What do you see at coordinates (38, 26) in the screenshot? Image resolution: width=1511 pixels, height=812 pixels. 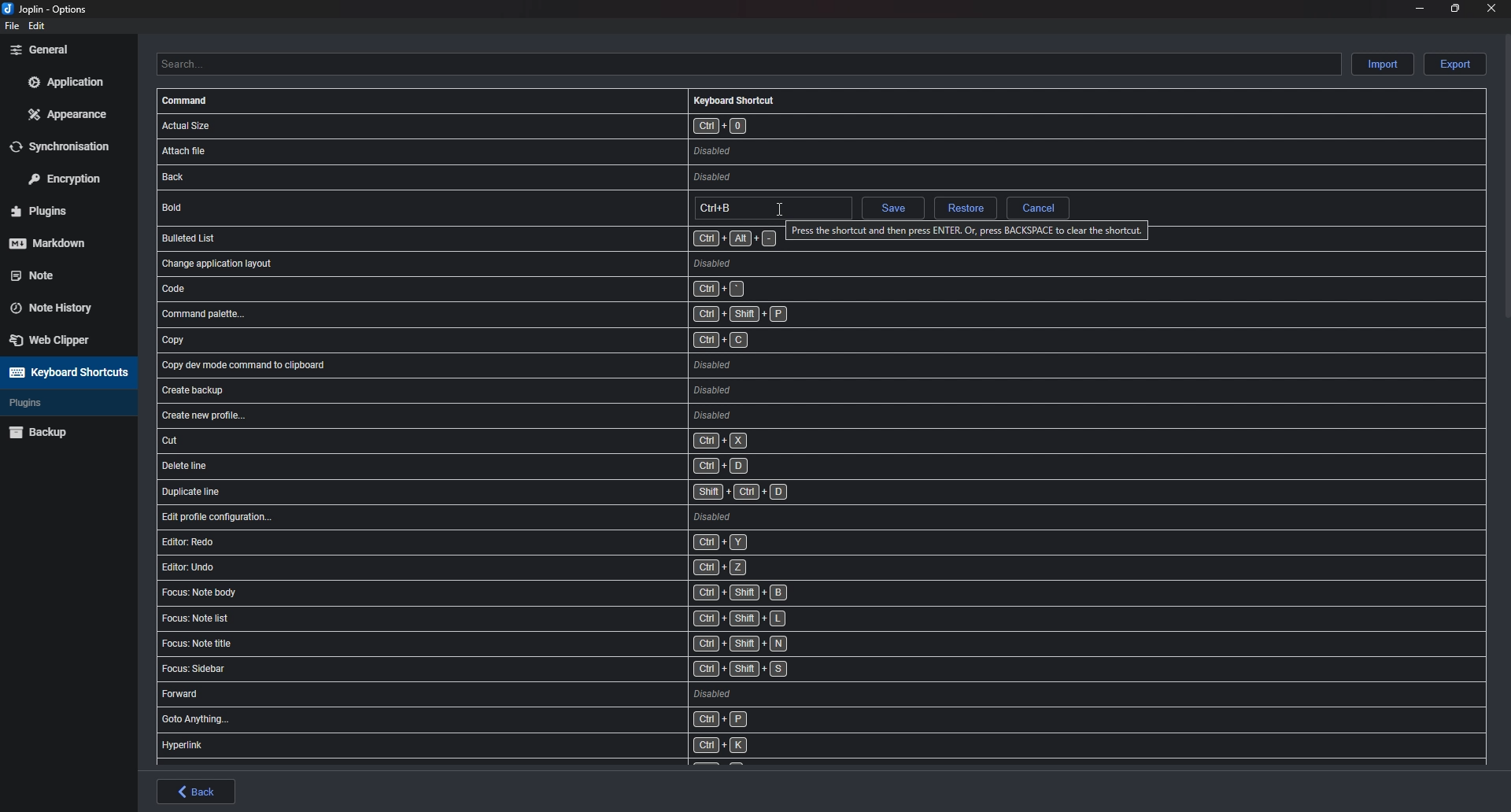 I see `edit` at bounding box center [38, 26].